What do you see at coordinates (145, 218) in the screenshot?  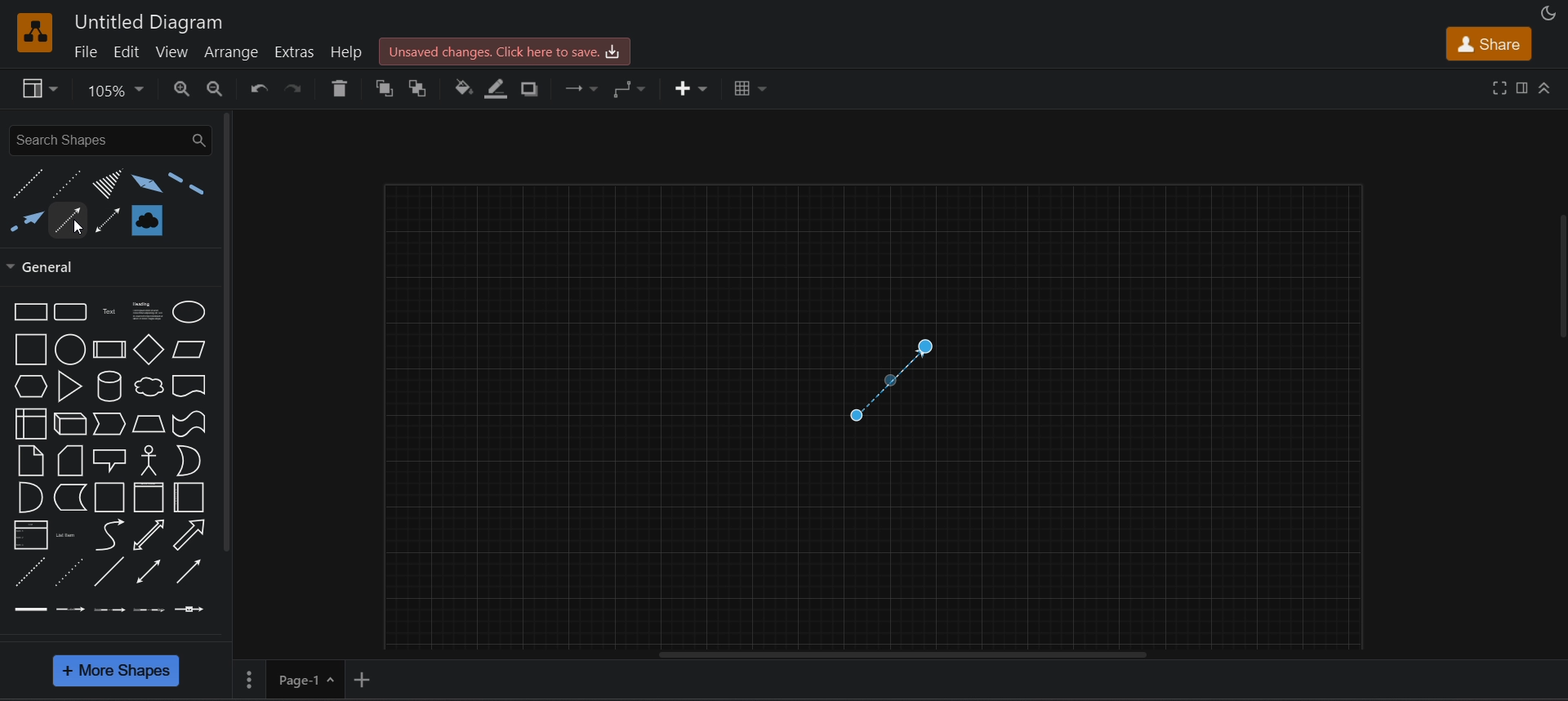 I see `blotting mark` at bounding box center [145, 218].